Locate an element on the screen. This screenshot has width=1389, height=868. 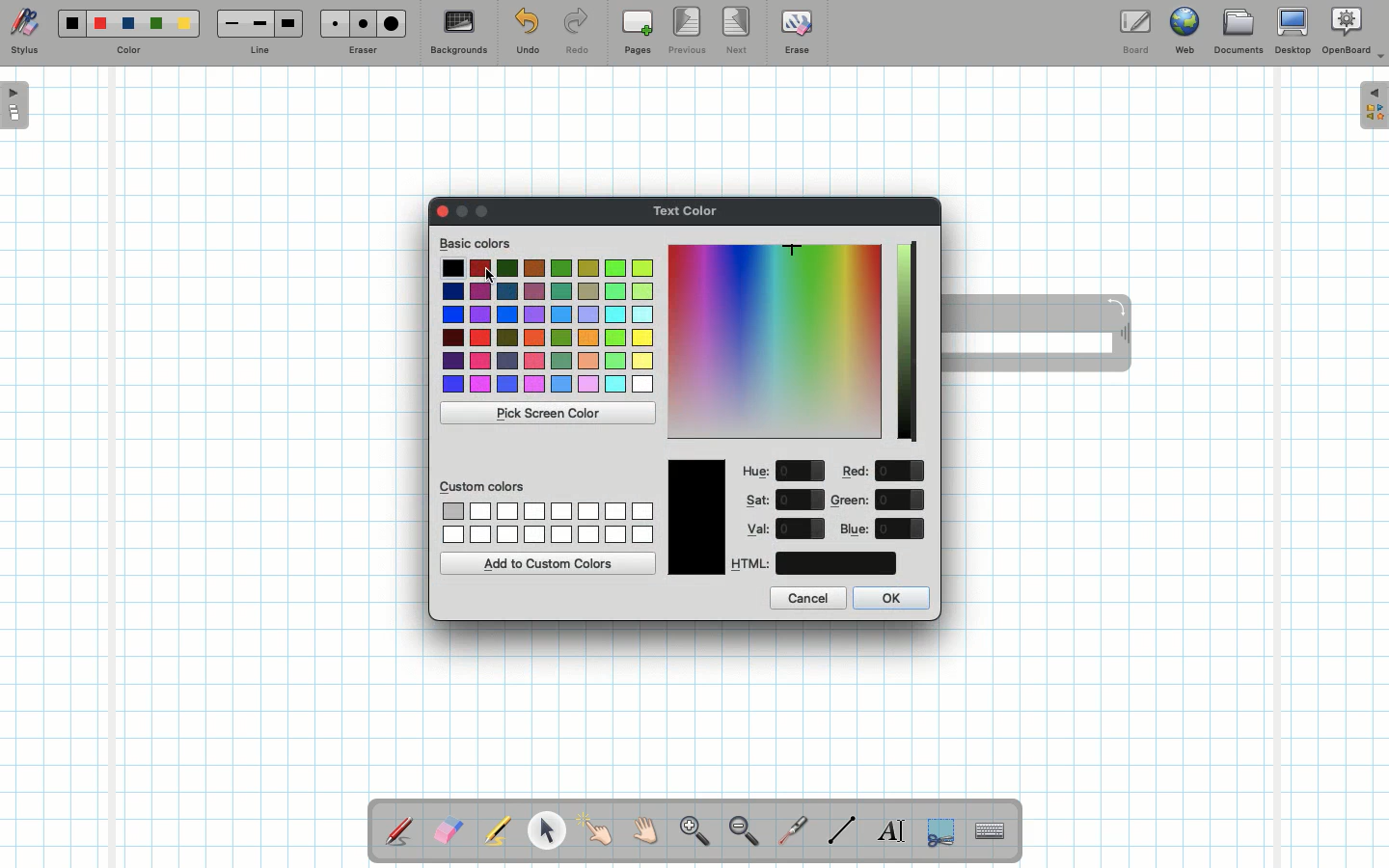
Undo is located at coordinates (527, 35).